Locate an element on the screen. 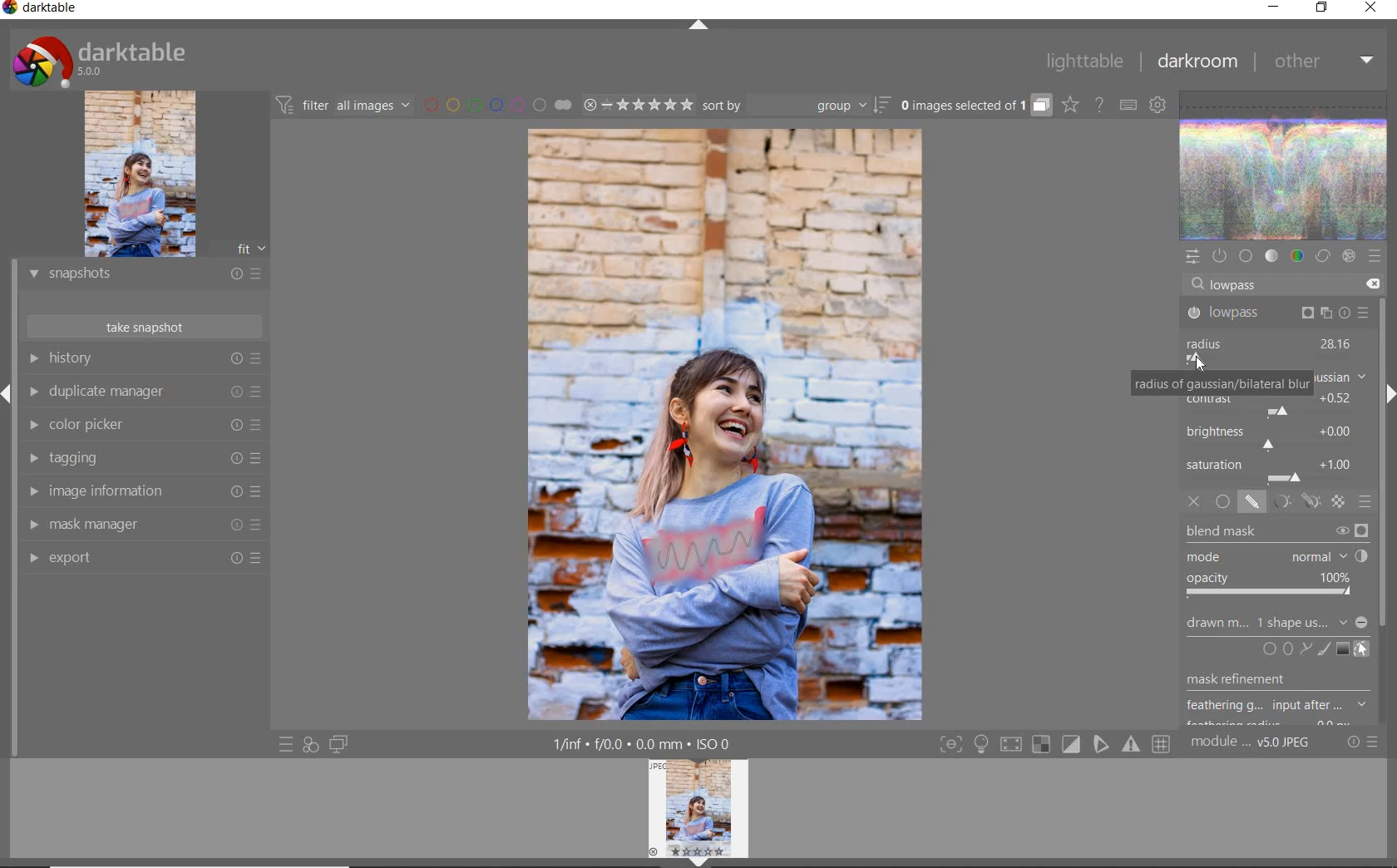 Image resolution: width=1397 pixels, height=868 pixels. other is located at coordinates (1323, 65).